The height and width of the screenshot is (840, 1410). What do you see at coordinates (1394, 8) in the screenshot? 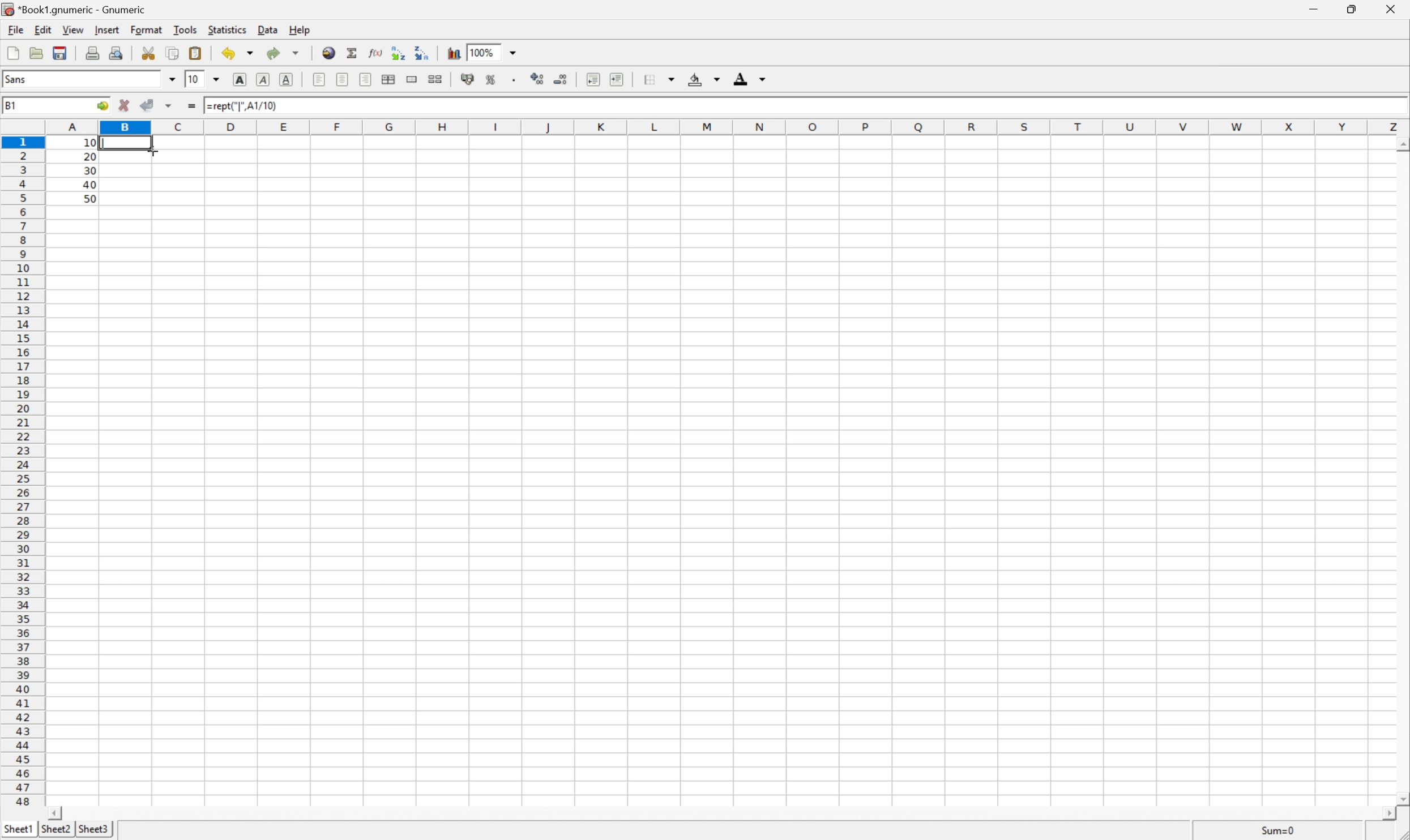
I see `Close` at bounding box center [1394, 8].